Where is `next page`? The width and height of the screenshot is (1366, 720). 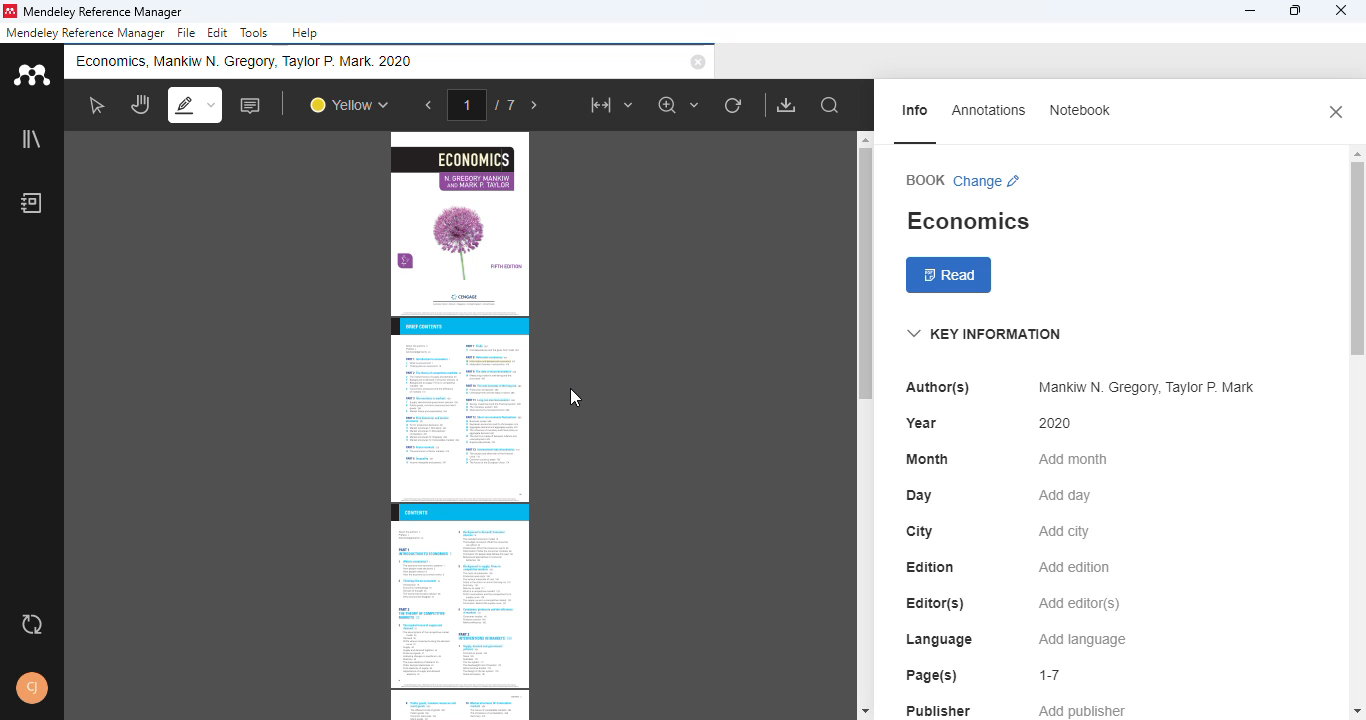 next page is located at coordinates (535, 106).